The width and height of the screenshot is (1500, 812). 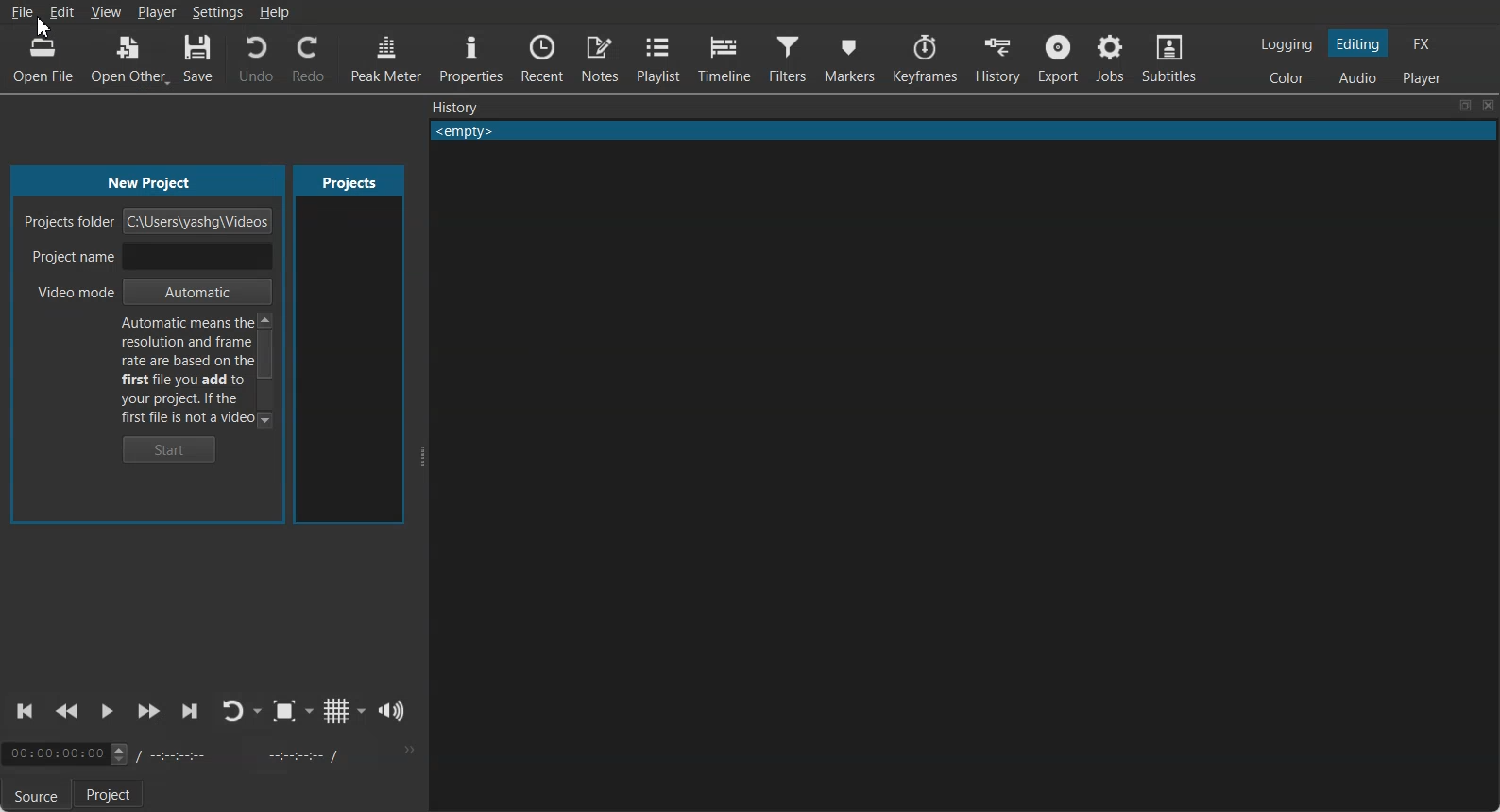 What do you see at coordinates (544, 57) in the screenshot?
I see `Recent` at bounding box center [544, 57].